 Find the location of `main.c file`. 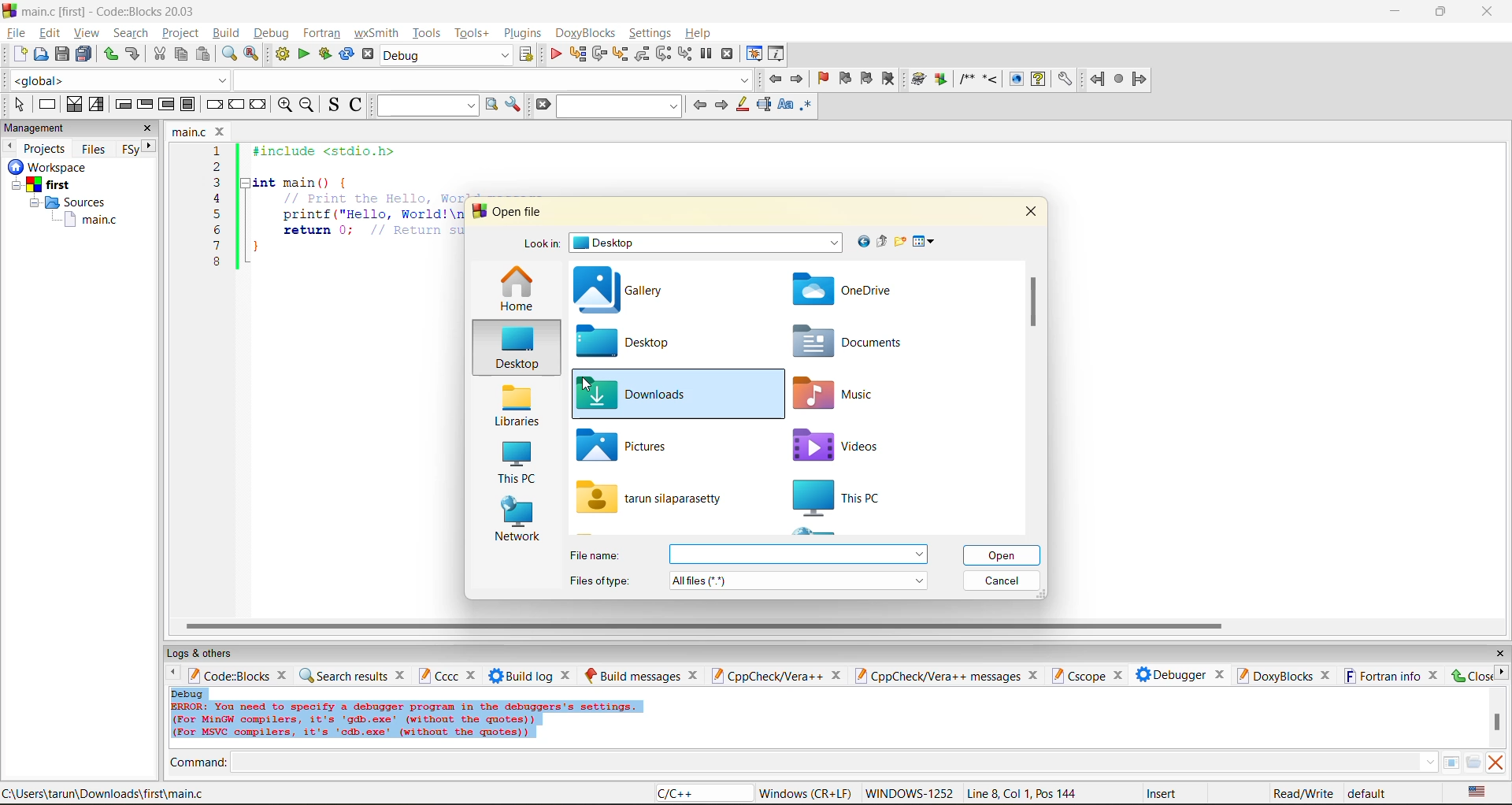

main.c file is located at coordinates (91, 221).